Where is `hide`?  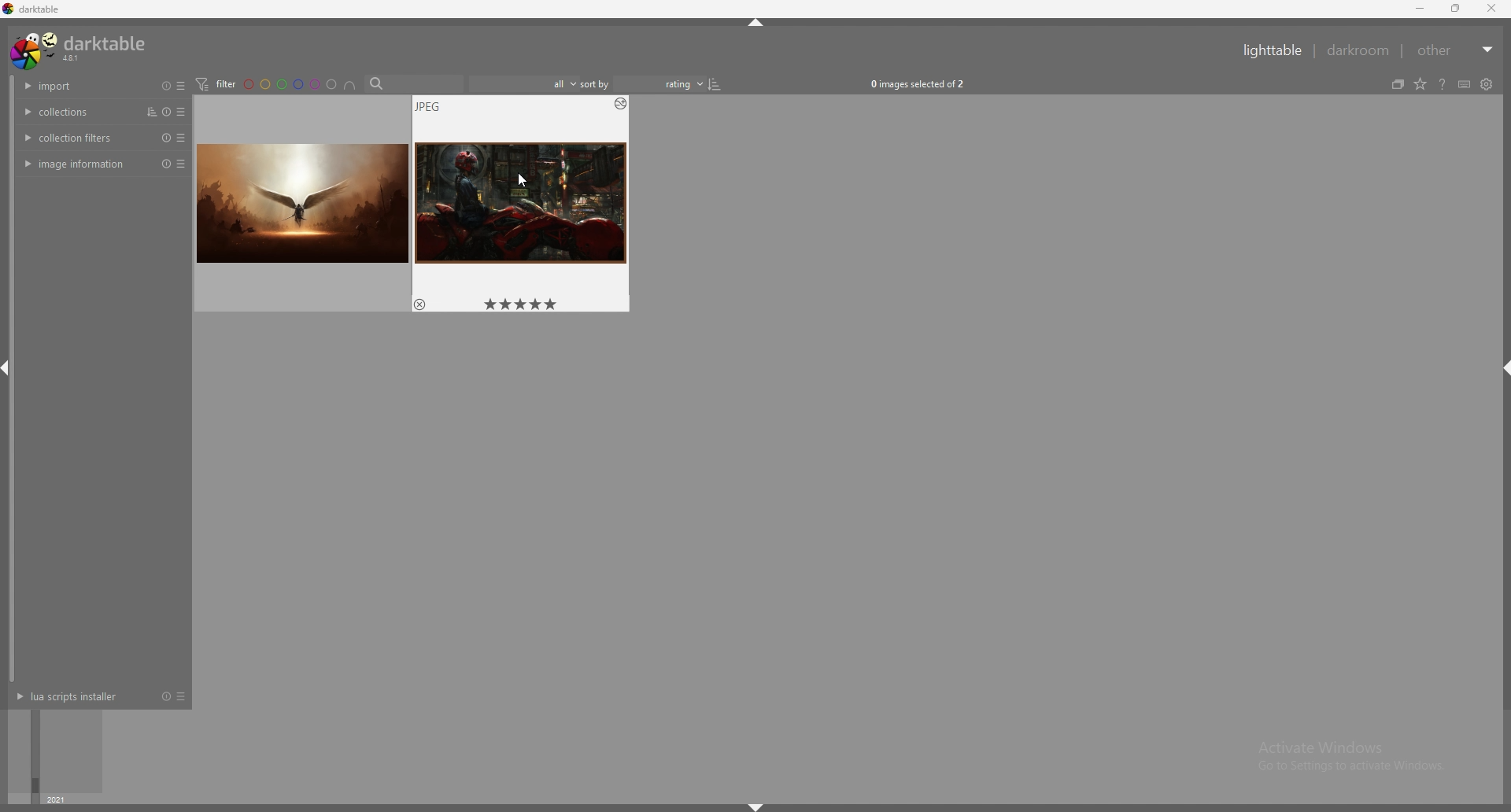 hide is located at coordinates (1502, 369).